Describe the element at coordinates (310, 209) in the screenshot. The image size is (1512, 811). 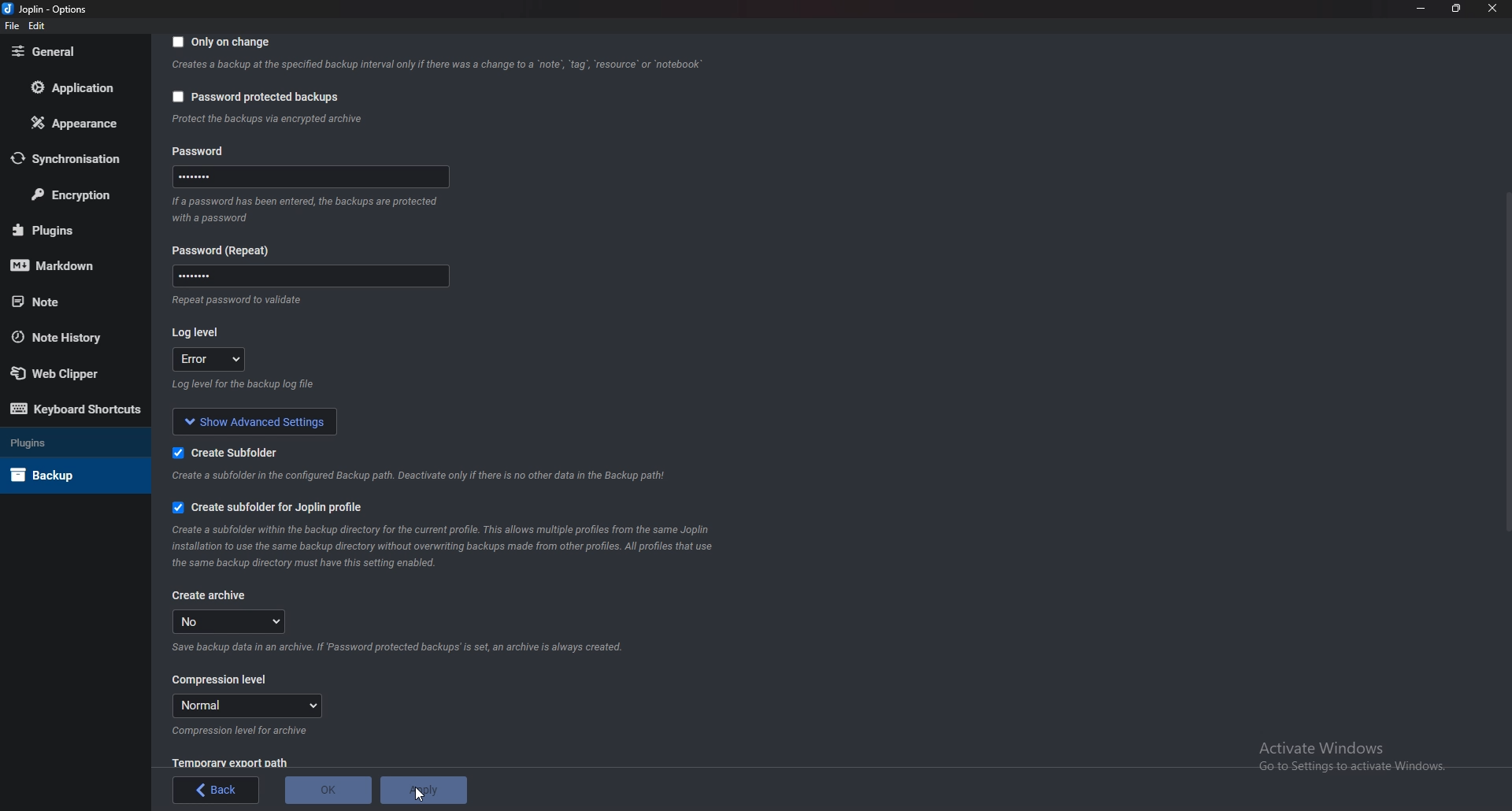
I see `Info` at that location.